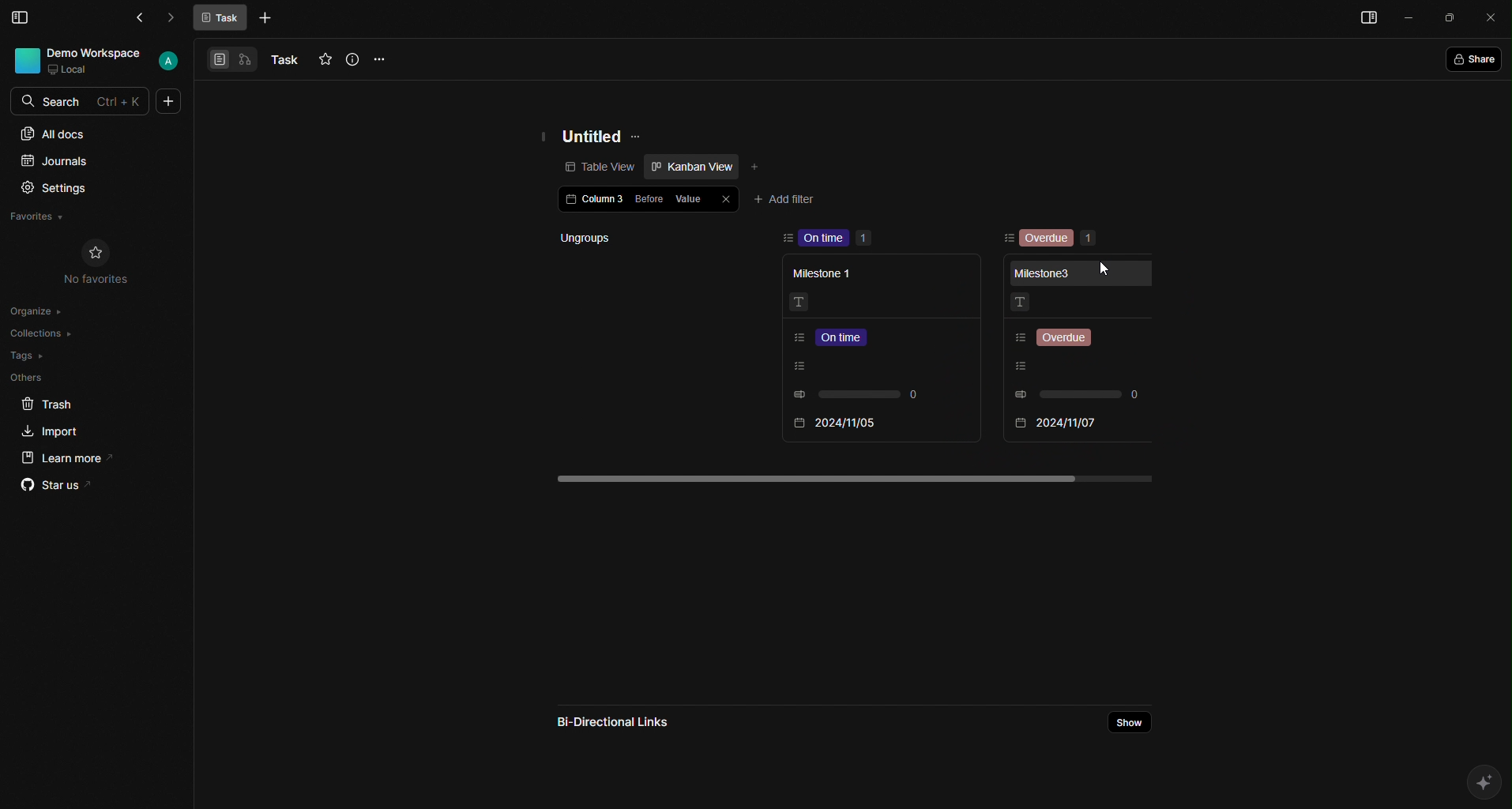 Image resolution: width=1512 pixels, height=809 pixels. Describe the element at coordinates (835, 423) in the screenshot. I see `2024/11/07` at that location.